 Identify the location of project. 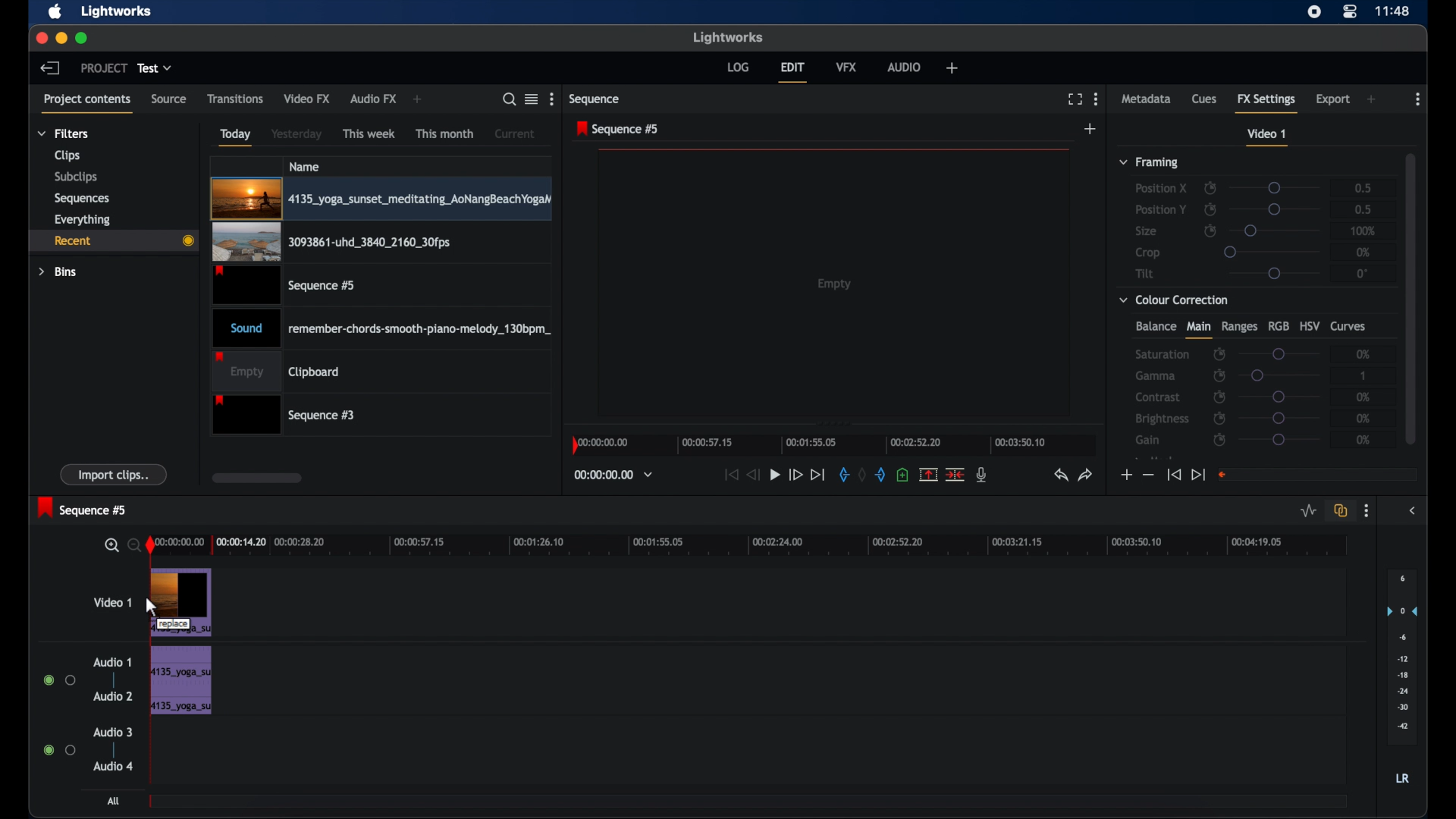
(104, 68).